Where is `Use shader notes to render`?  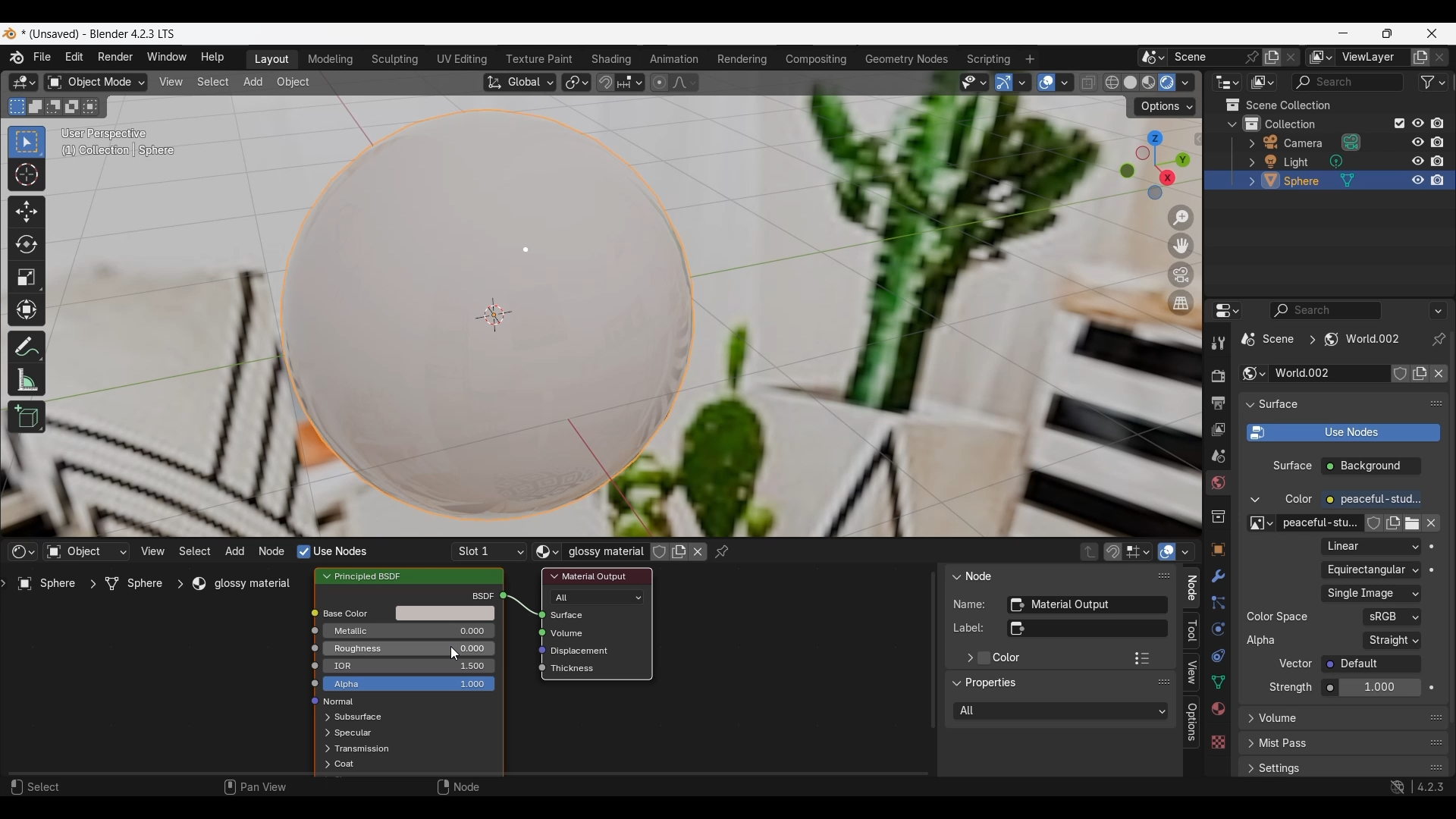
Use shader notes to render is located at coordinates (1343, 433).